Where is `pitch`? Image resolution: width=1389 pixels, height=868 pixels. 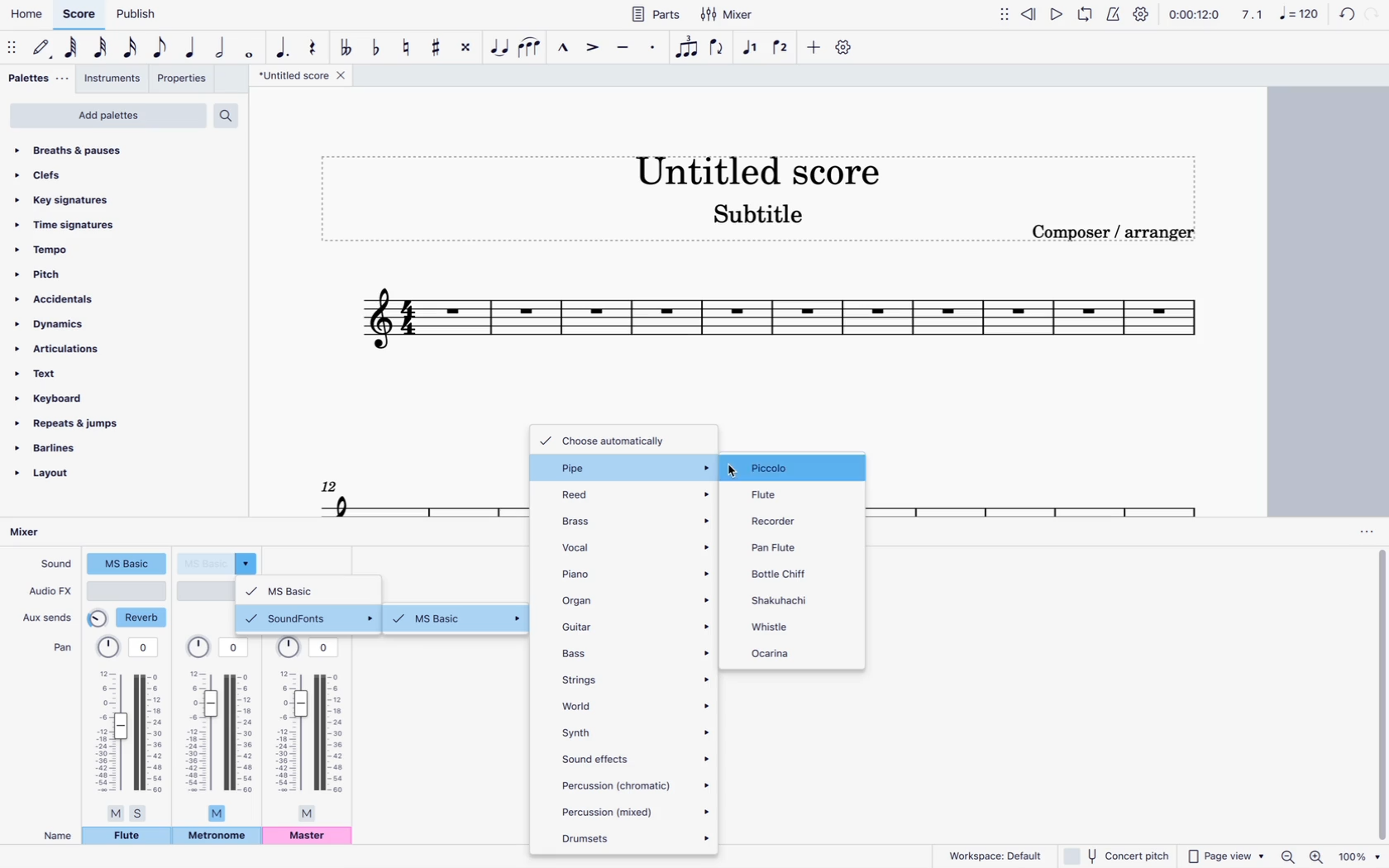 pitch is located at coordinates (97, 274).